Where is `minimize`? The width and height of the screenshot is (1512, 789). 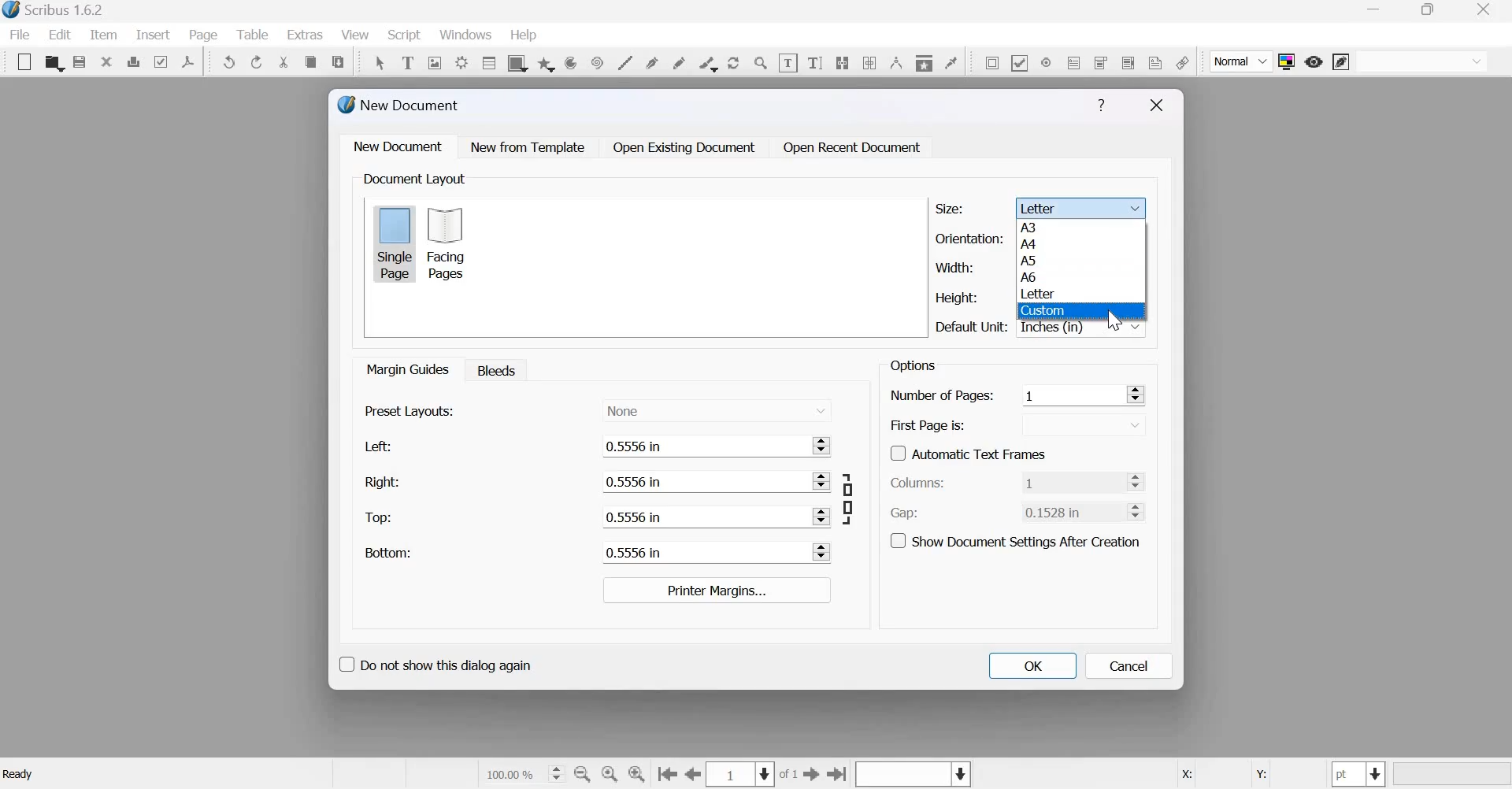 minimize is located at coordinates (1376, 11).